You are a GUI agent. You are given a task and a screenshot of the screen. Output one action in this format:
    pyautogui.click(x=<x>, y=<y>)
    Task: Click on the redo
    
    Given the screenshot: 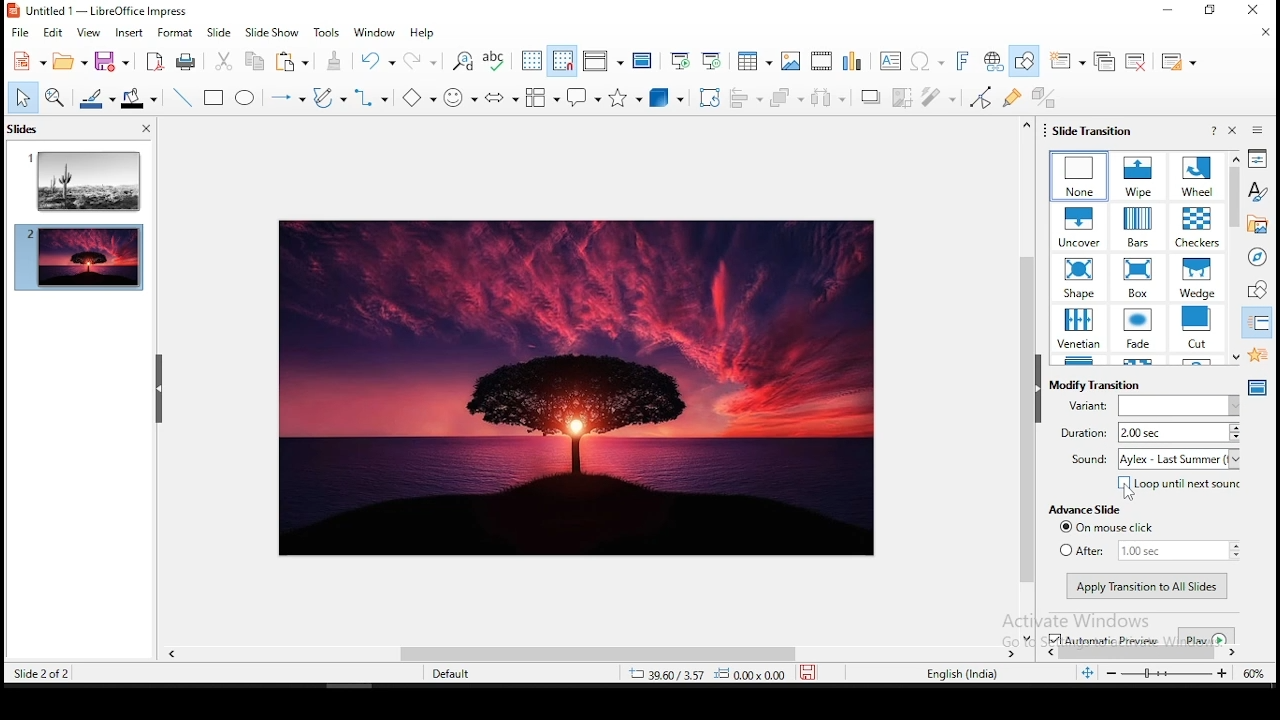 What is the action you would take?
    pyautogui.click(x=423, y=61)
    